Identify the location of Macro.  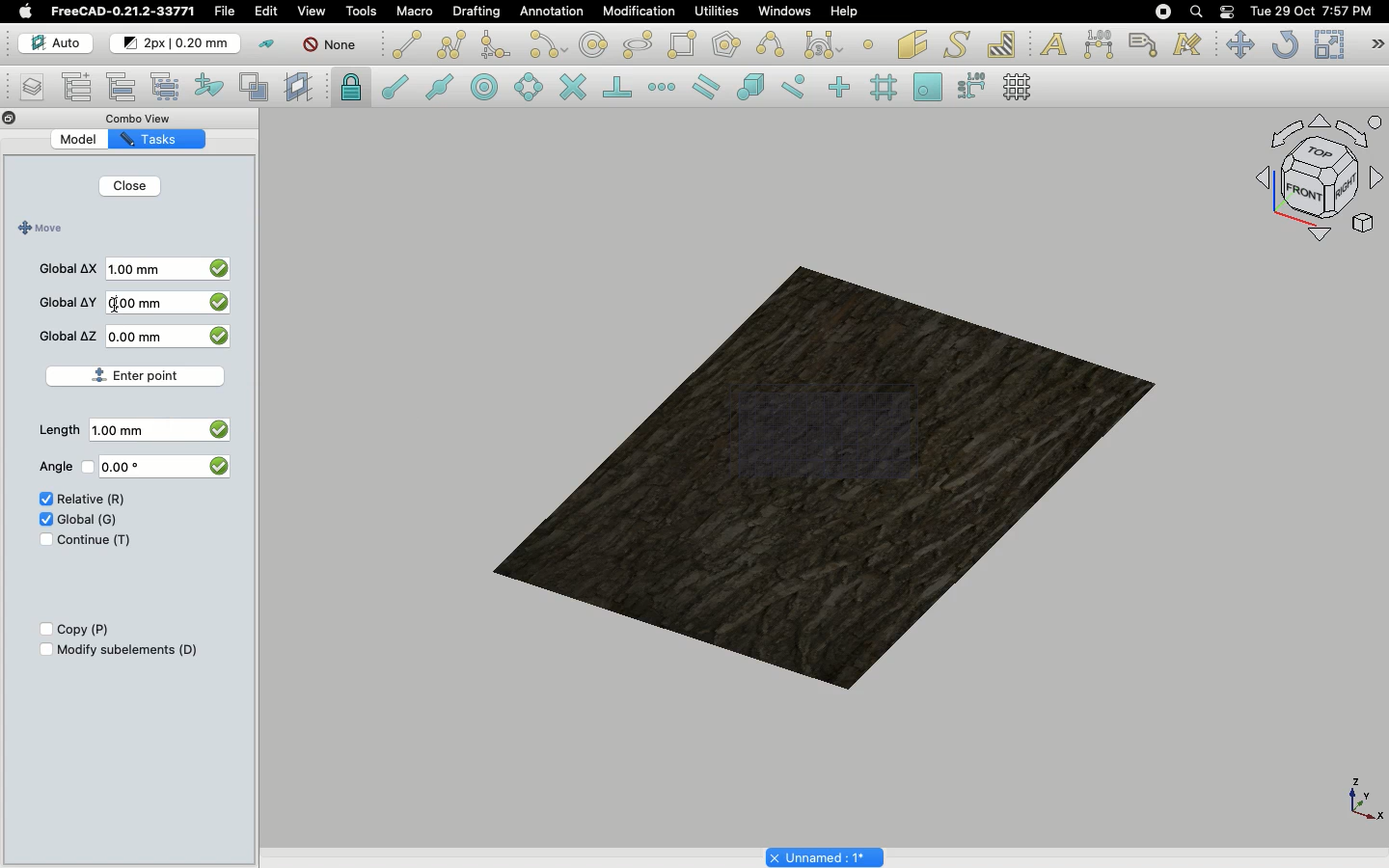
(416, 12).